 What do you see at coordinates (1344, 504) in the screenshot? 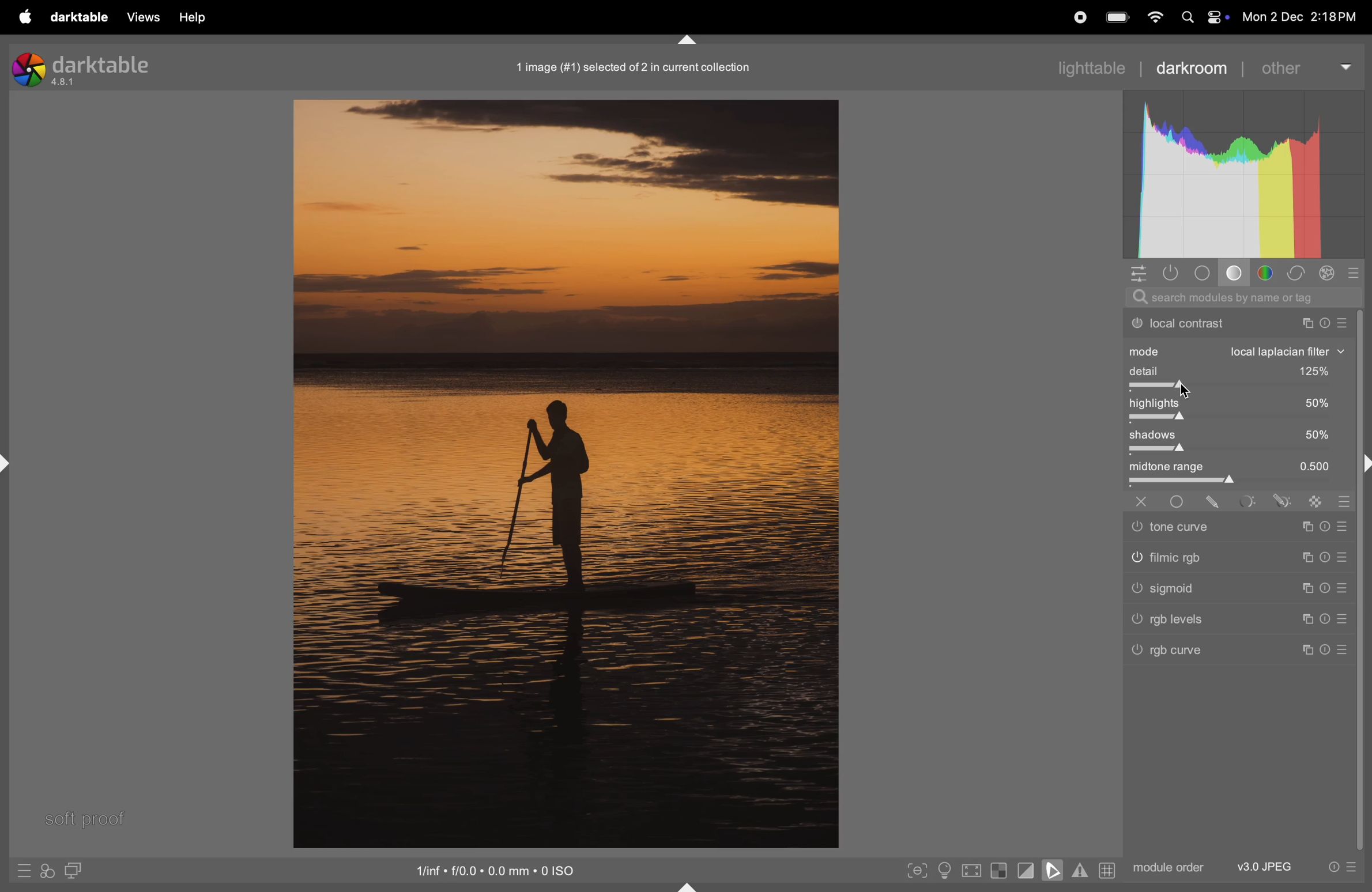
I see `sign` at bounding box center [1344, 504].